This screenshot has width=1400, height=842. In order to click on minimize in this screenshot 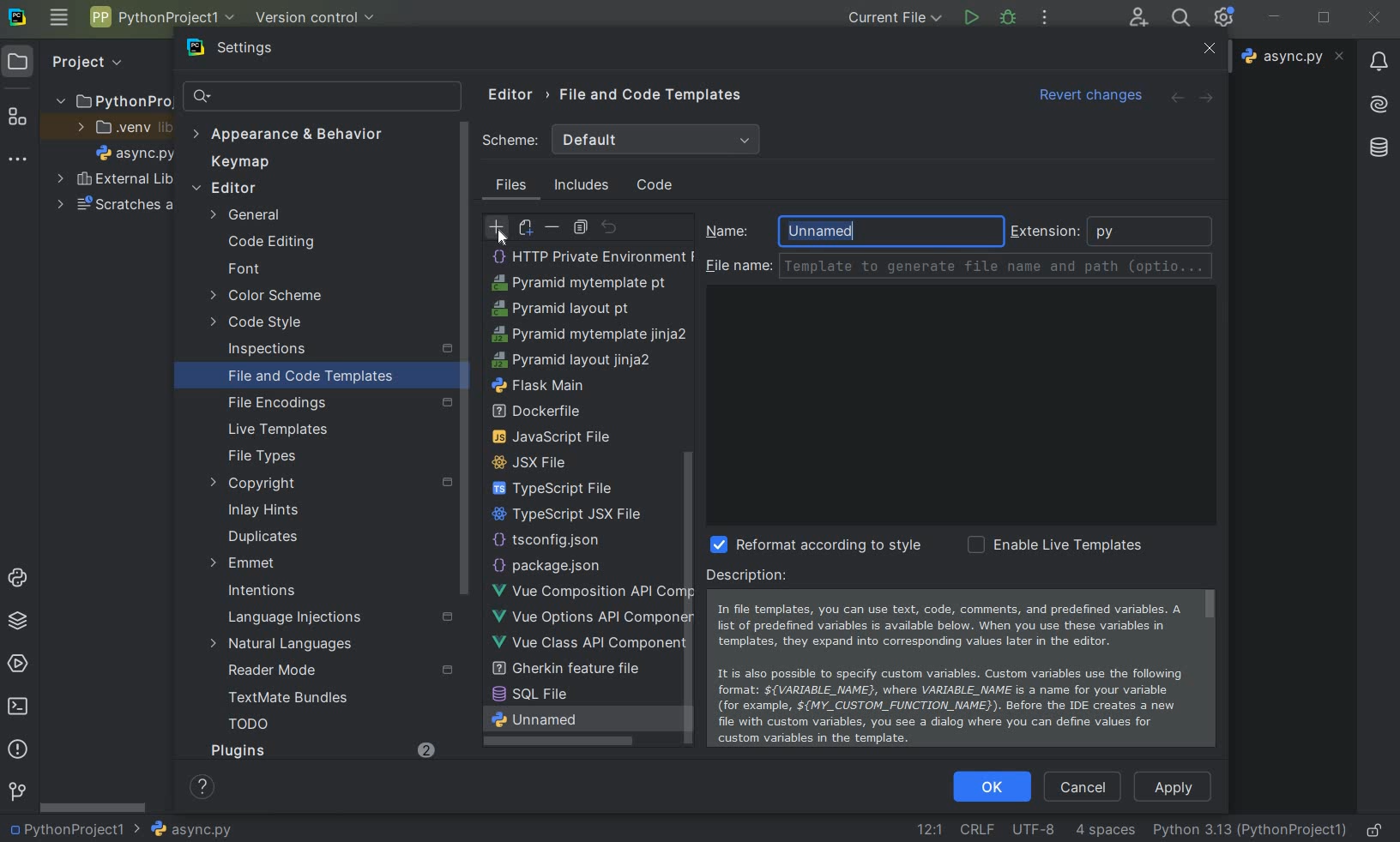, I will do `click(1274, 17)`.